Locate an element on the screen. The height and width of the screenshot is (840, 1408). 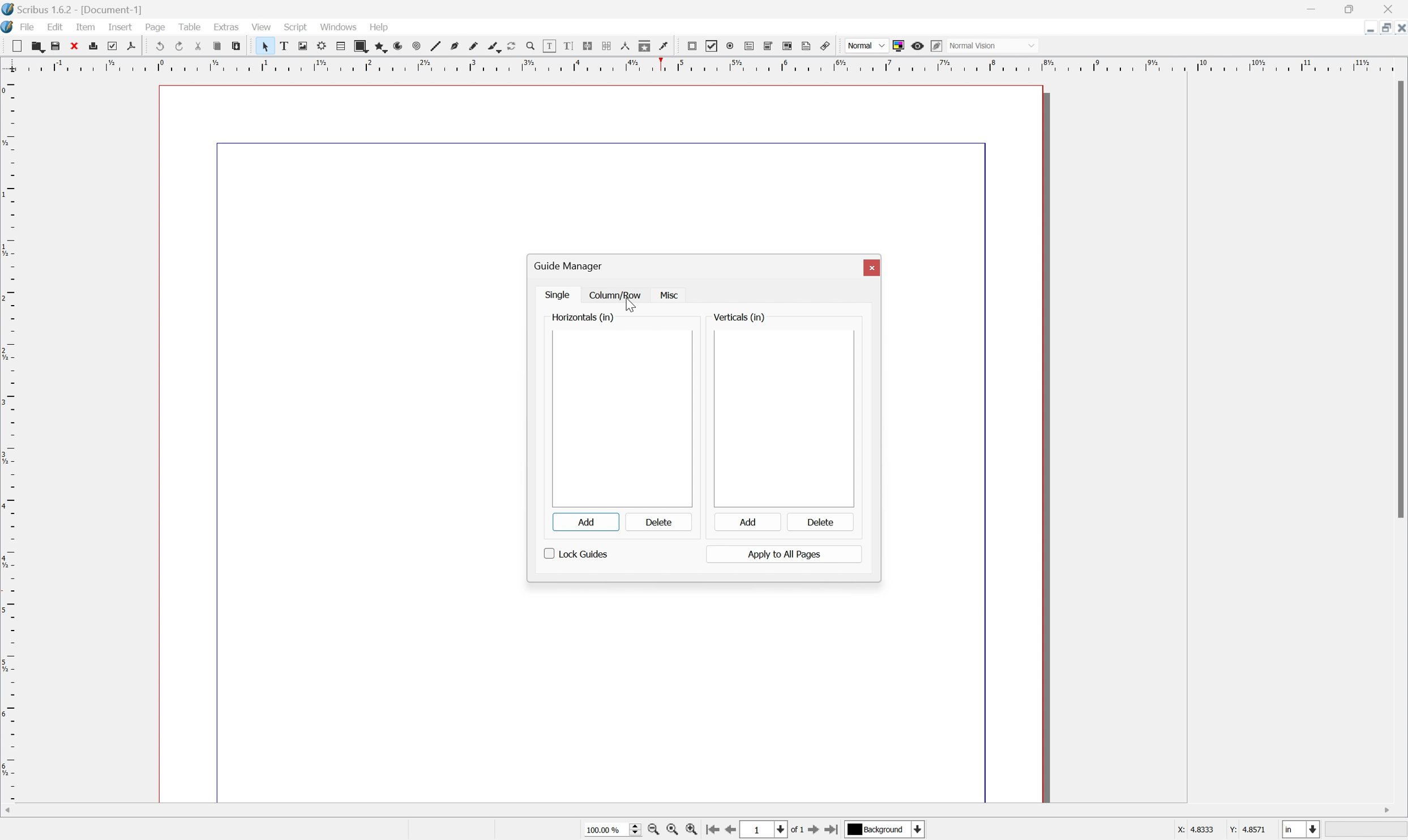
rotate item is located at coordinates (511, 46).